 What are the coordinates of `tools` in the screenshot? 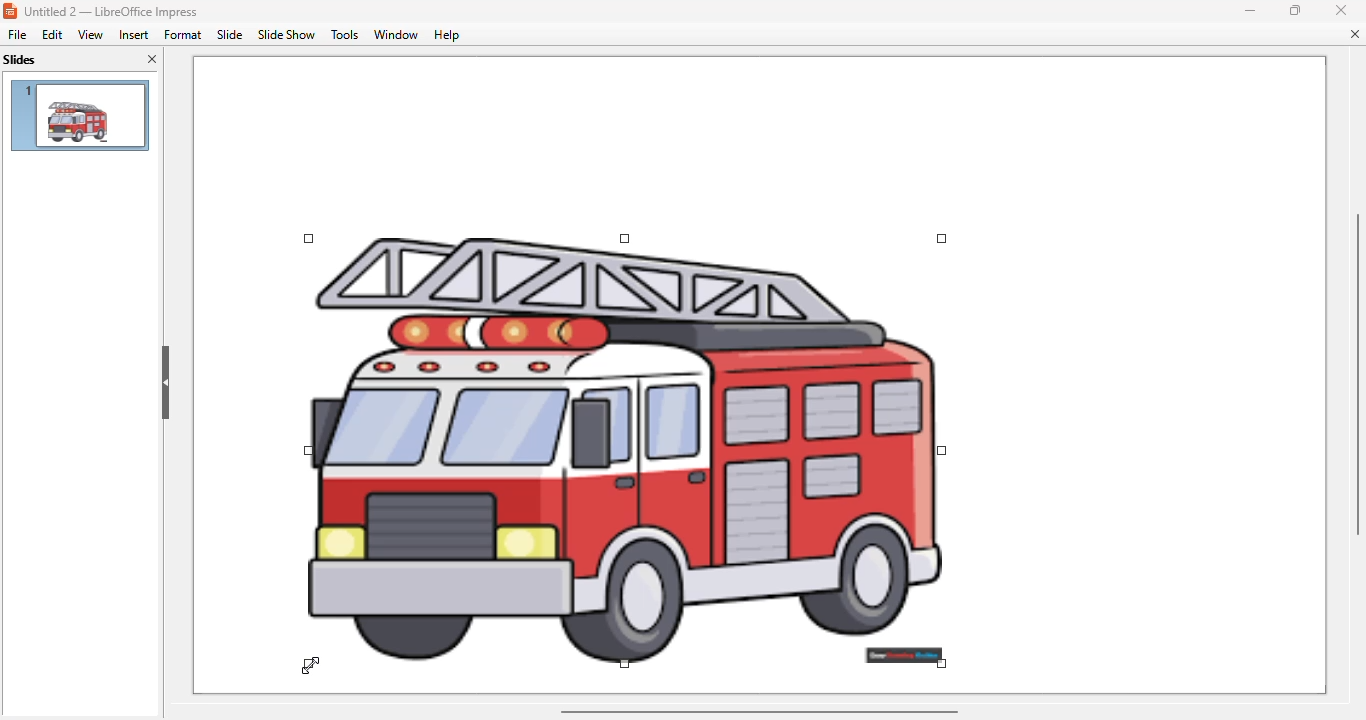 It's located at (344, 35).